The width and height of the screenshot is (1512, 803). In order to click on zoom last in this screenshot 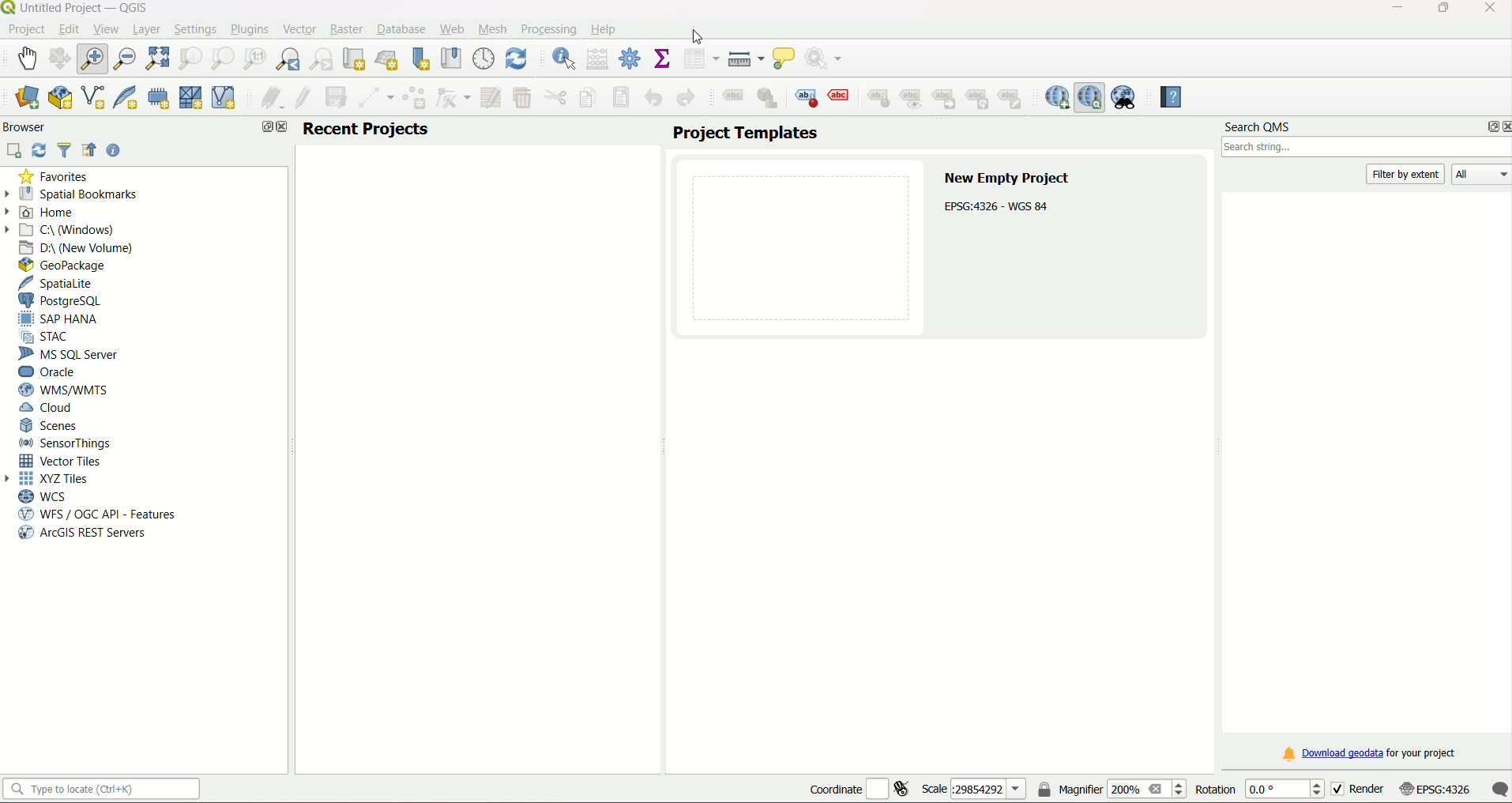, I will do `click(291, 59)`.